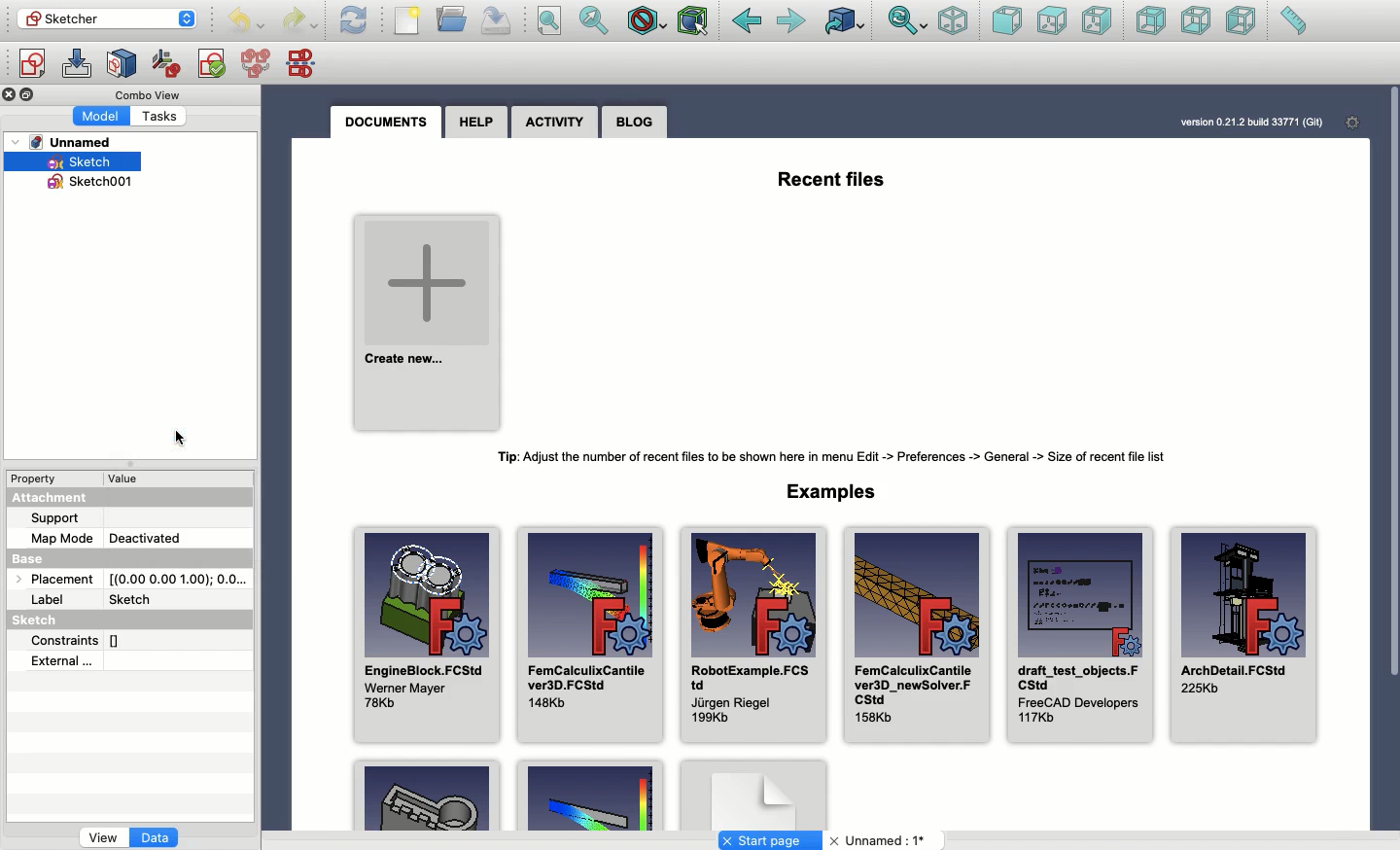 The width and height of the screenshot is (1400, 850). Describe the element at coordinates (1293, 20) in the screenshot. I see `Measure` at that location.